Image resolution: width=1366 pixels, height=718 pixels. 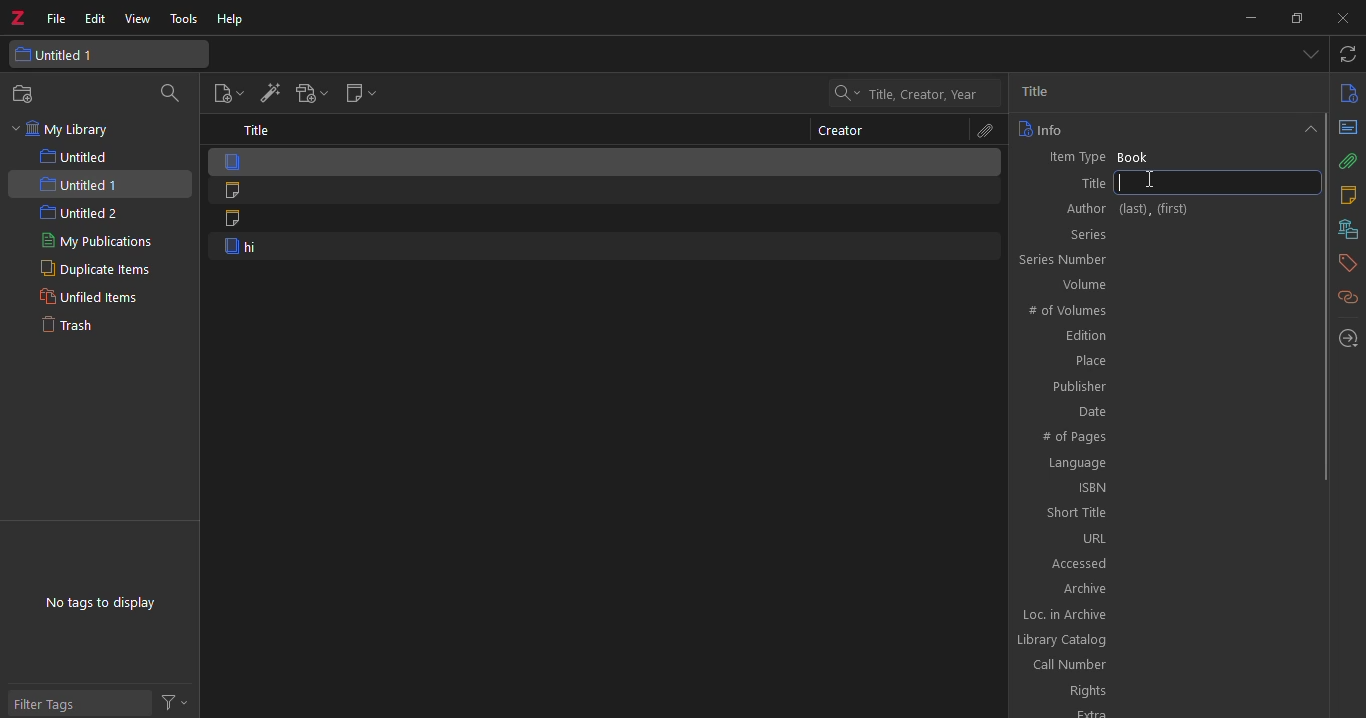 I want to click on Title, Creator, Year, so click(x=923, y=95).